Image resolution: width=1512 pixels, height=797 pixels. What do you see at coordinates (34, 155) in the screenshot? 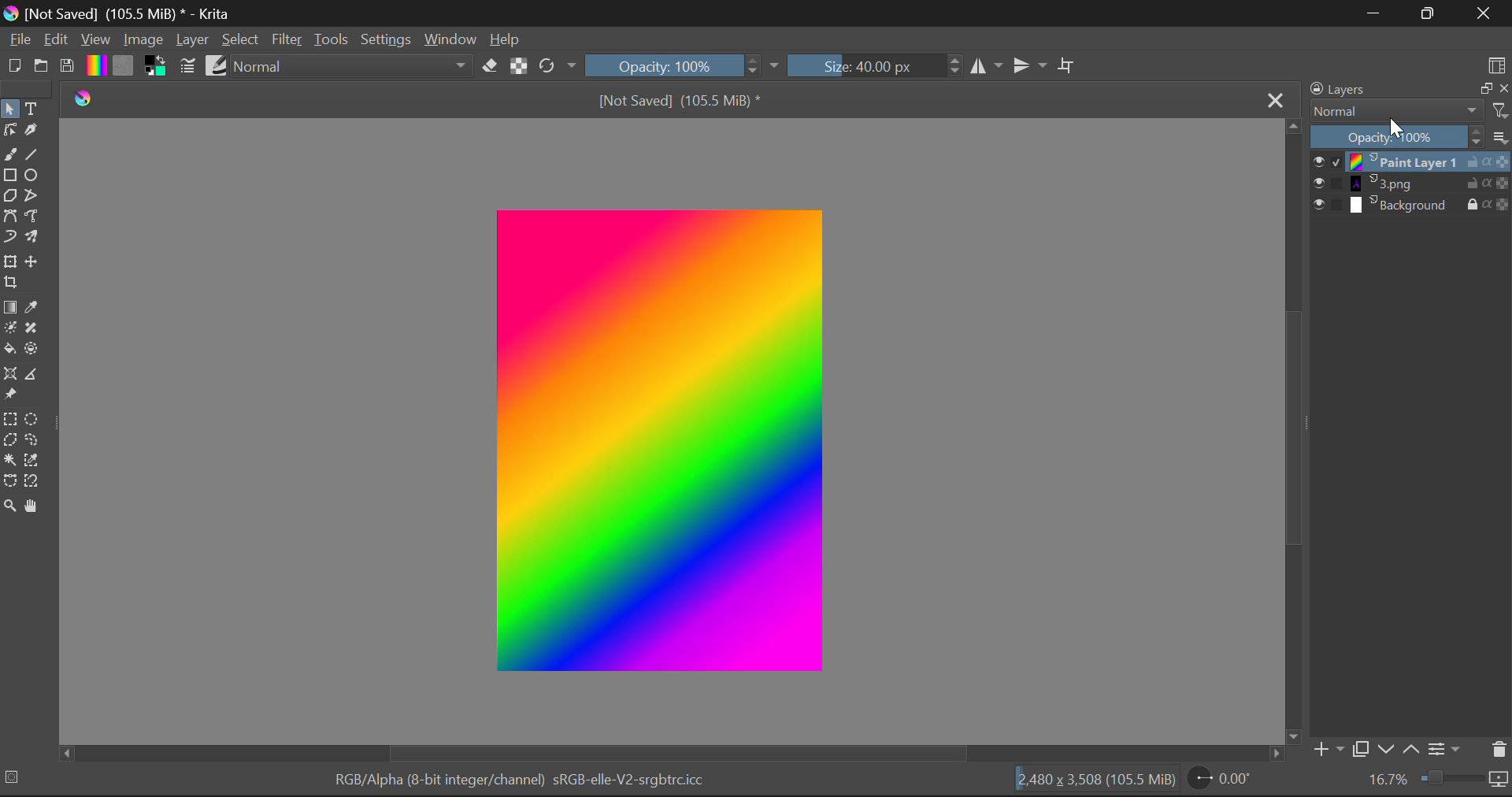
I see `Line` at bounding box center [34, 155].